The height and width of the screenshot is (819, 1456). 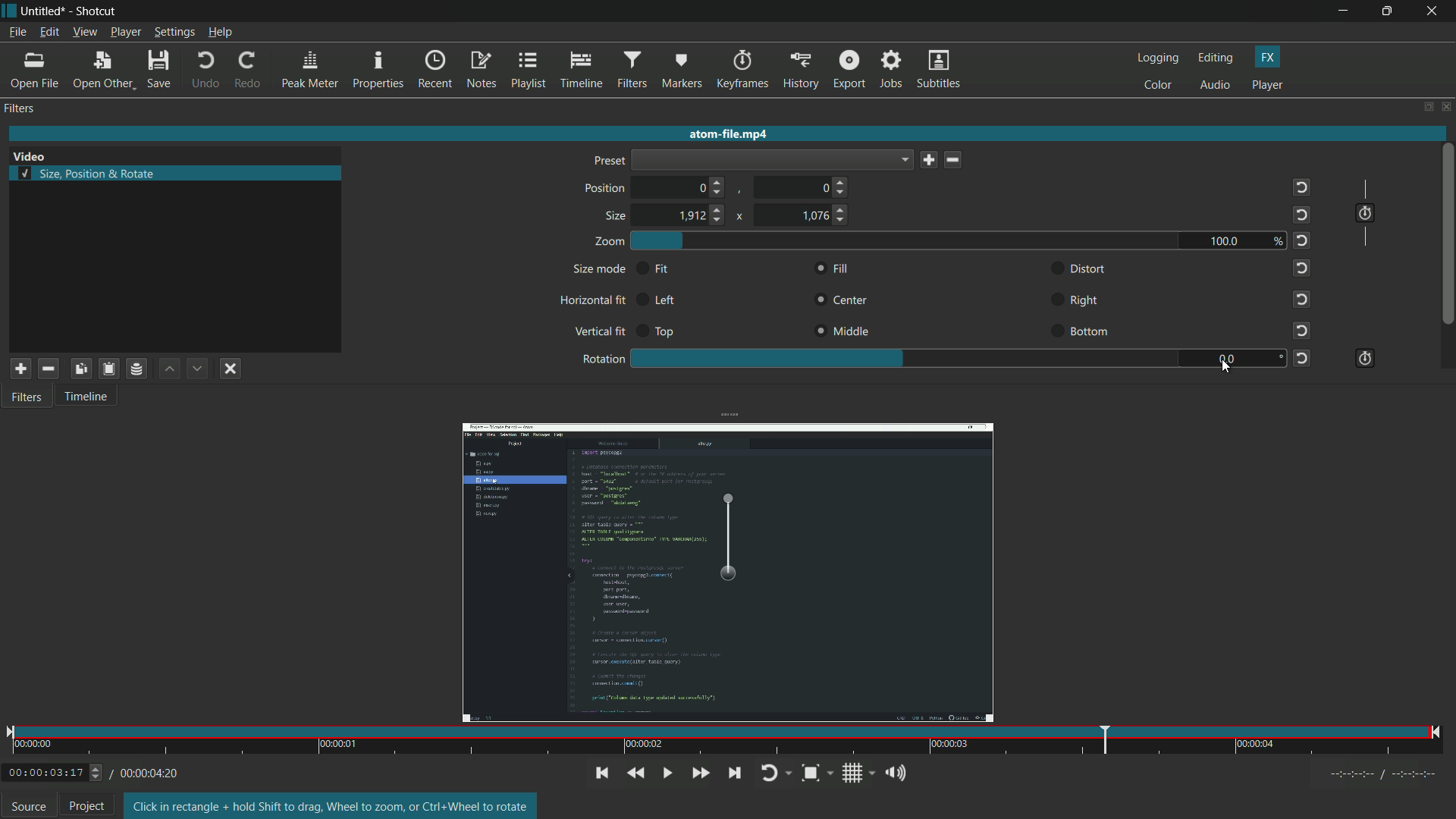 I want to click on fx, so click(x=1269, y=56).